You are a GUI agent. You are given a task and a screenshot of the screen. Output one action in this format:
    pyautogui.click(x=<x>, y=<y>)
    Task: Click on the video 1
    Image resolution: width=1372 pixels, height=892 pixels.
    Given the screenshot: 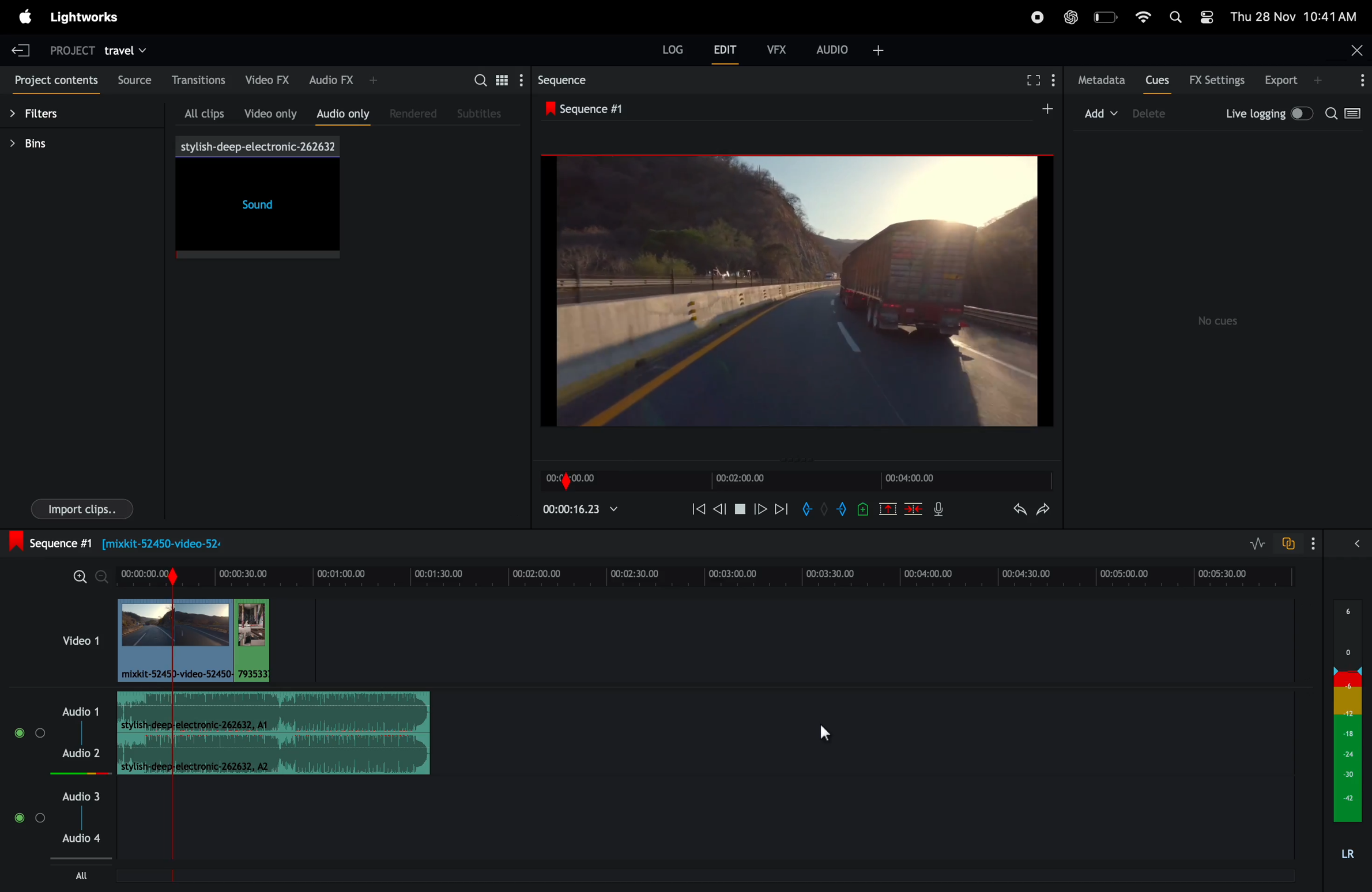 What is the action you would take?
    pyautogui.click(x=74, y=644)
    